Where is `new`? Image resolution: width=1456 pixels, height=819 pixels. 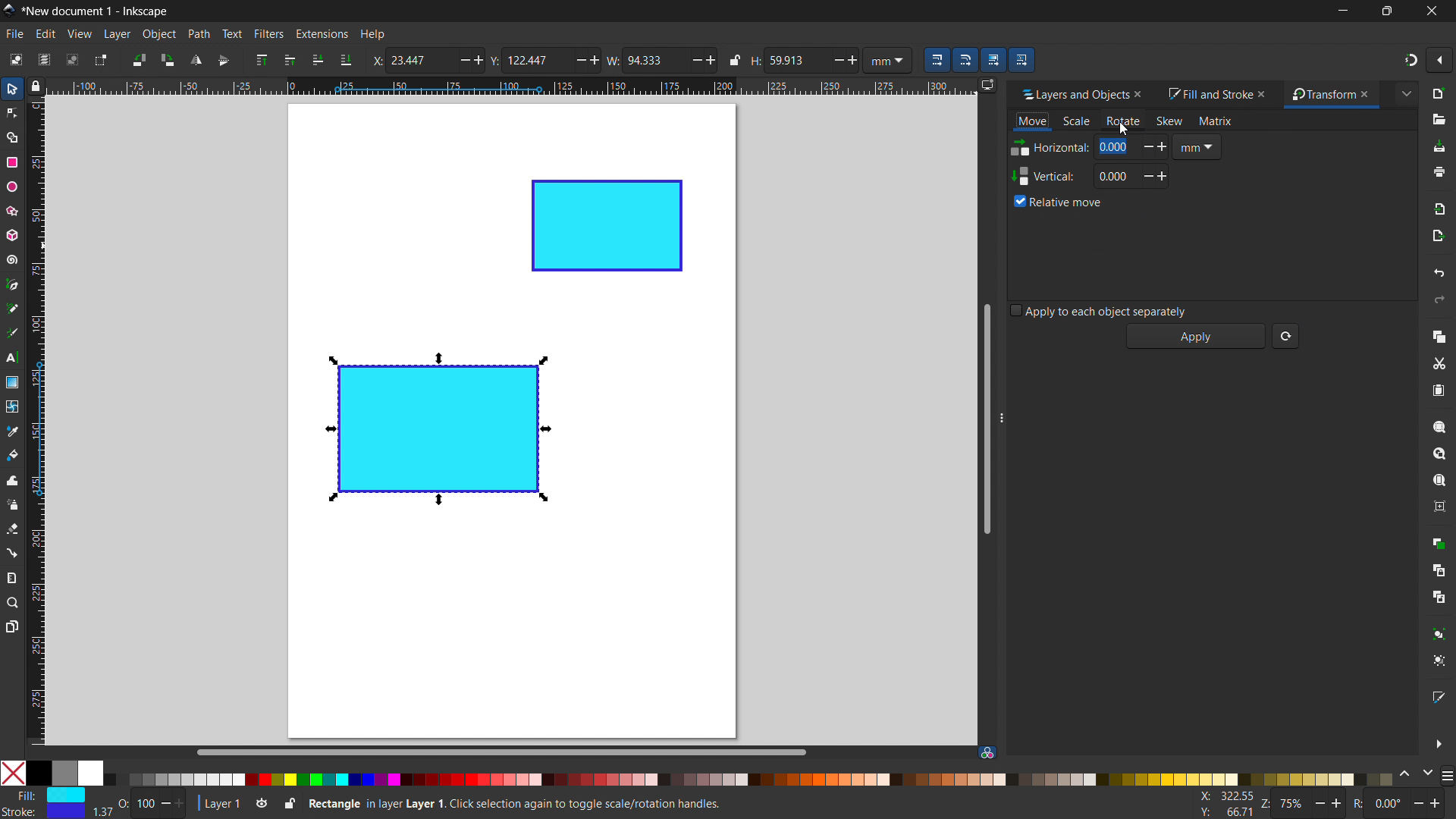
new is located at coordinates (1440, 93).